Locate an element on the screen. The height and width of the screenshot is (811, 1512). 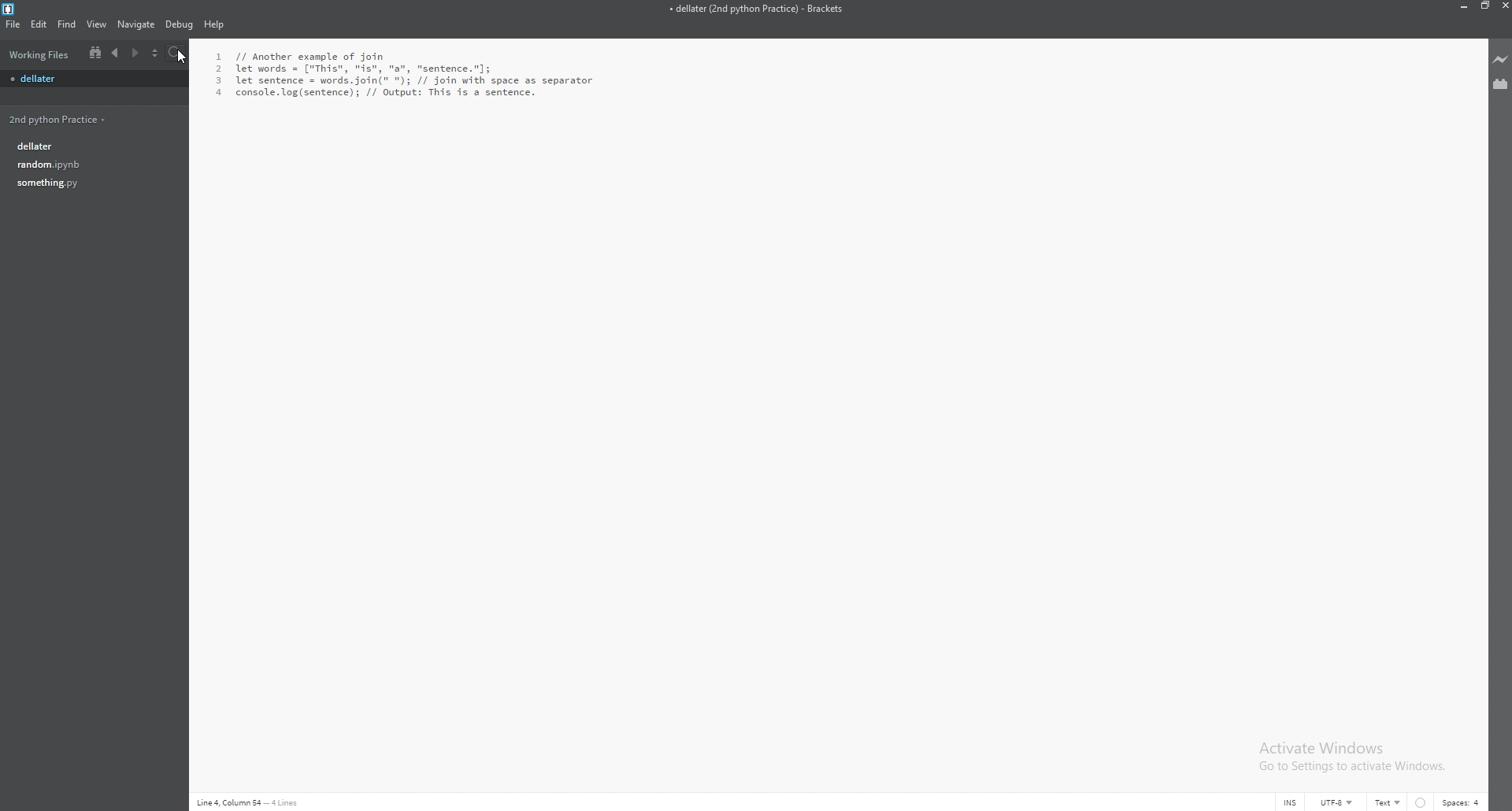
minimize is located at coordinates (1464, 6).